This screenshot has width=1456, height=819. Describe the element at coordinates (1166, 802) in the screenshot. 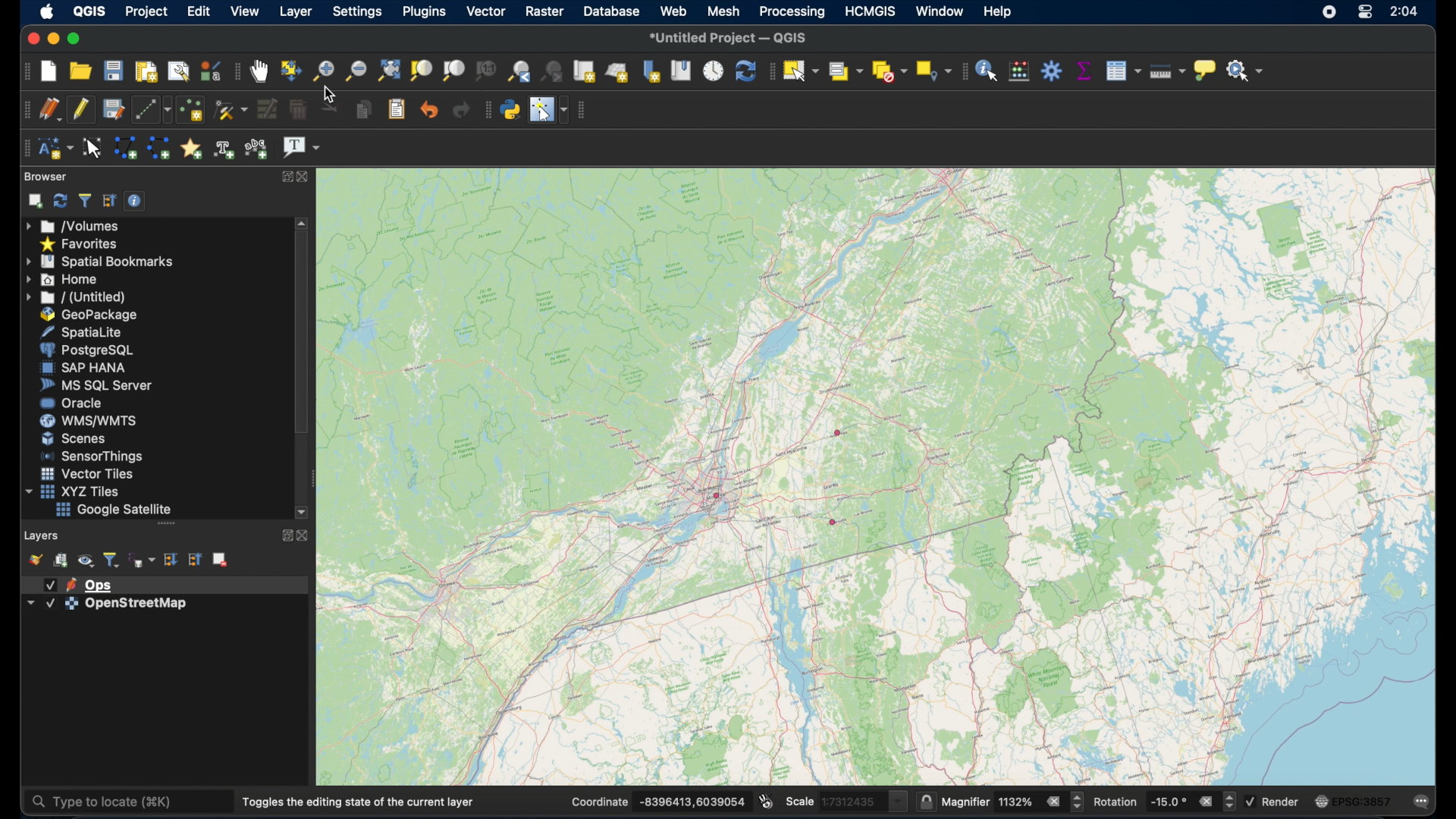

I see `rotation` at that location.